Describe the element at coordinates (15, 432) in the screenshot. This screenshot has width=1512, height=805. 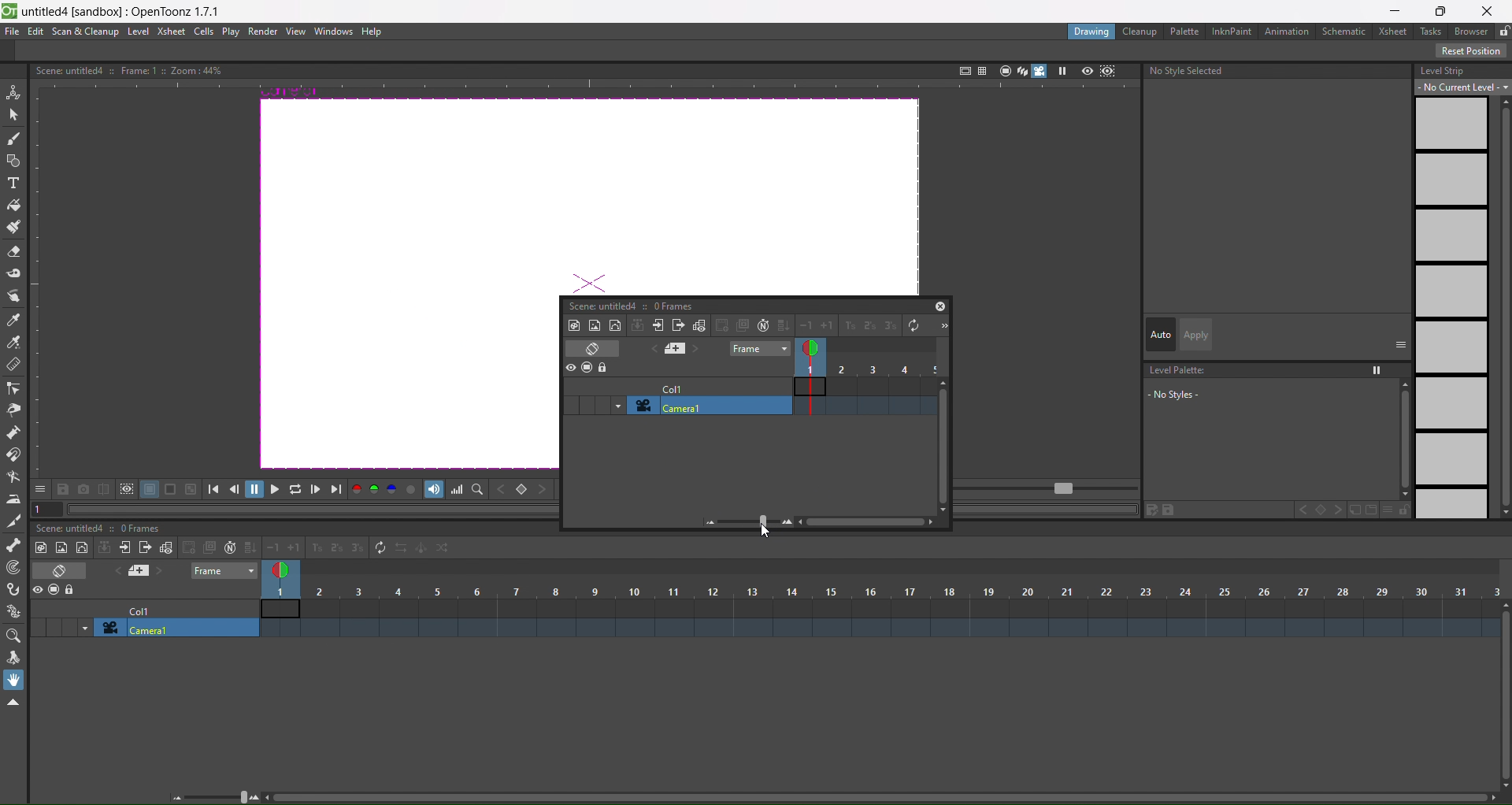
I see `pump tool` at that location.